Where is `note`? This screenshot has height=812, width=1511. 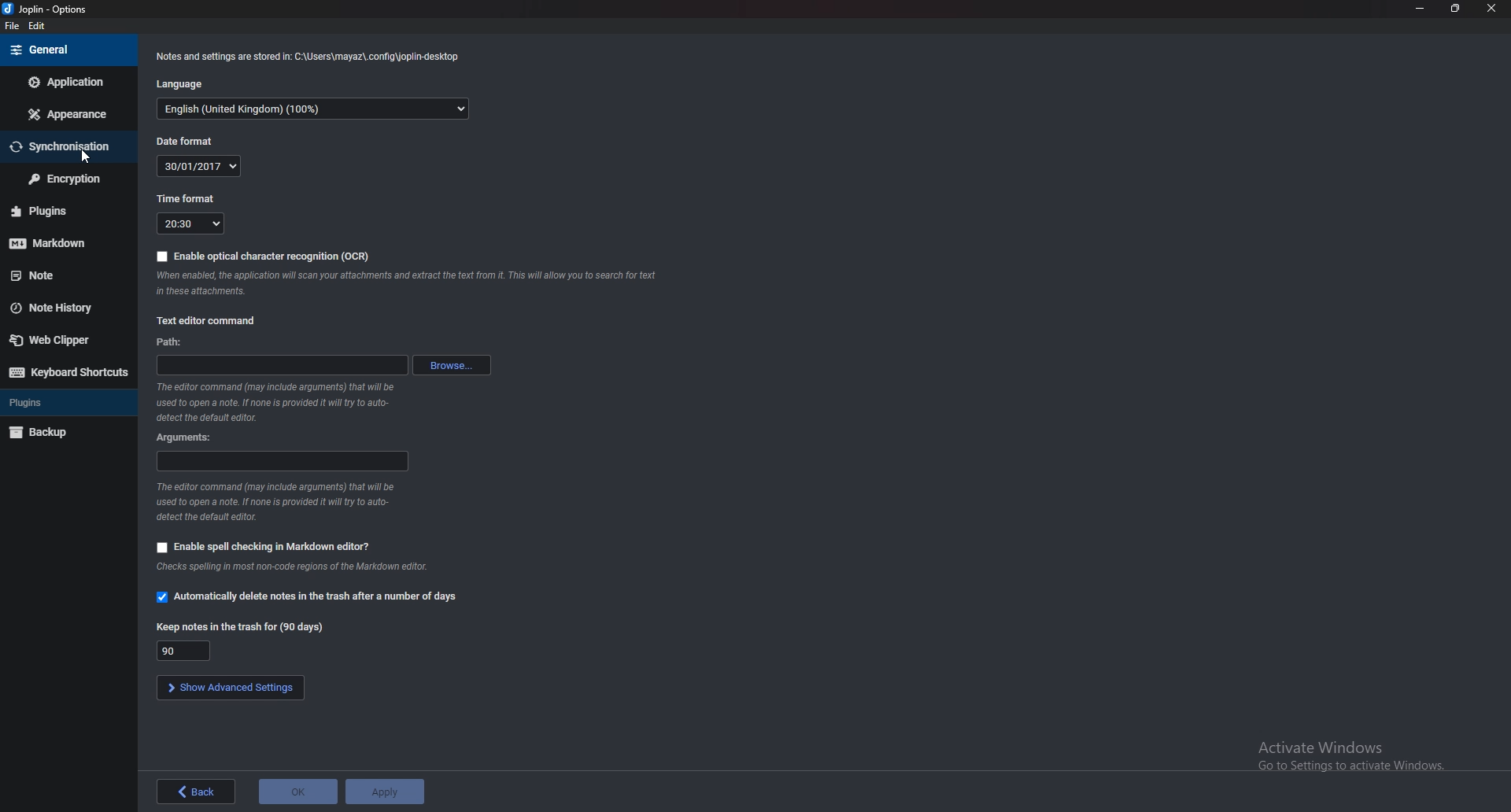
note is located at coordinates (62, 276).